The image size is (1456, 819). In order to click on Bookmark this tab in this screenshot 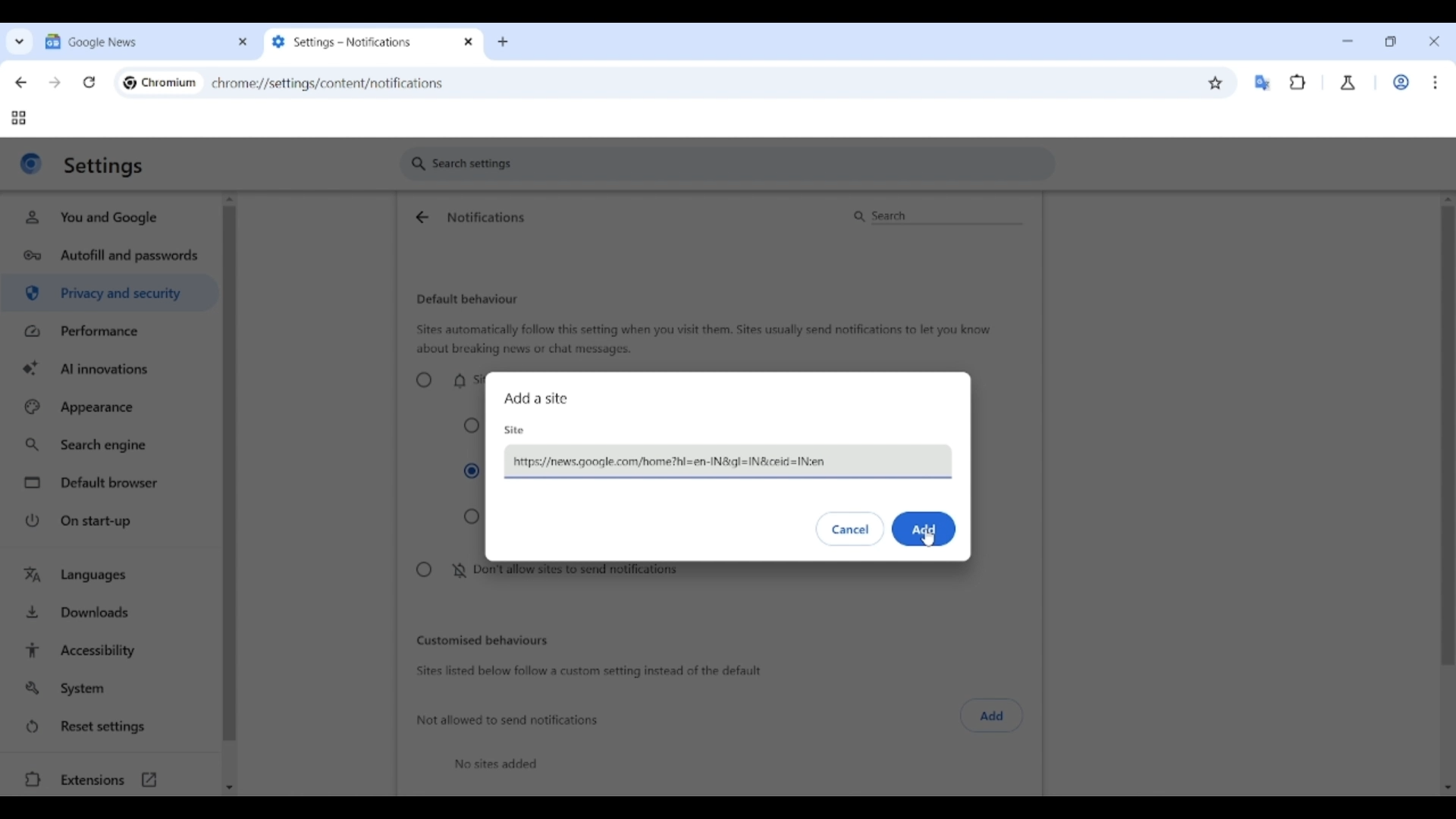, I will do `click(1216, 83)`.